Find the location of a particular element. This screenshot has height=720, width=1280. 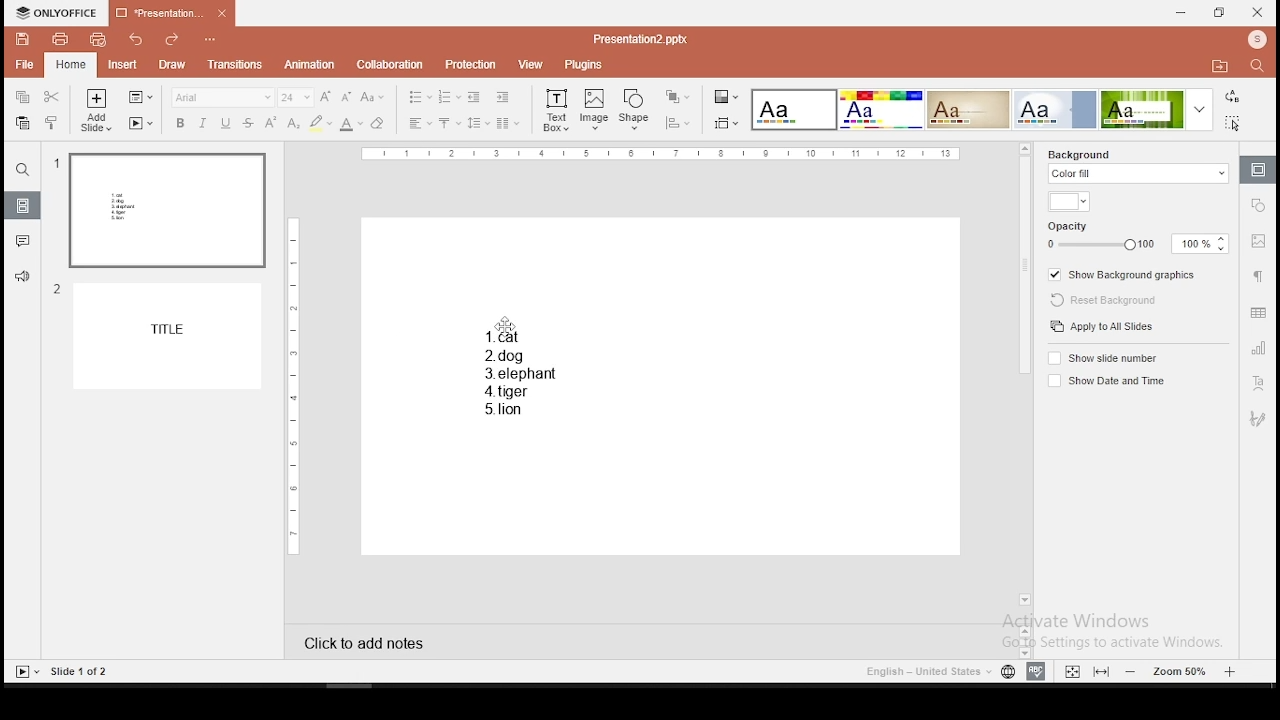

options is located at coordinates (211, 41).